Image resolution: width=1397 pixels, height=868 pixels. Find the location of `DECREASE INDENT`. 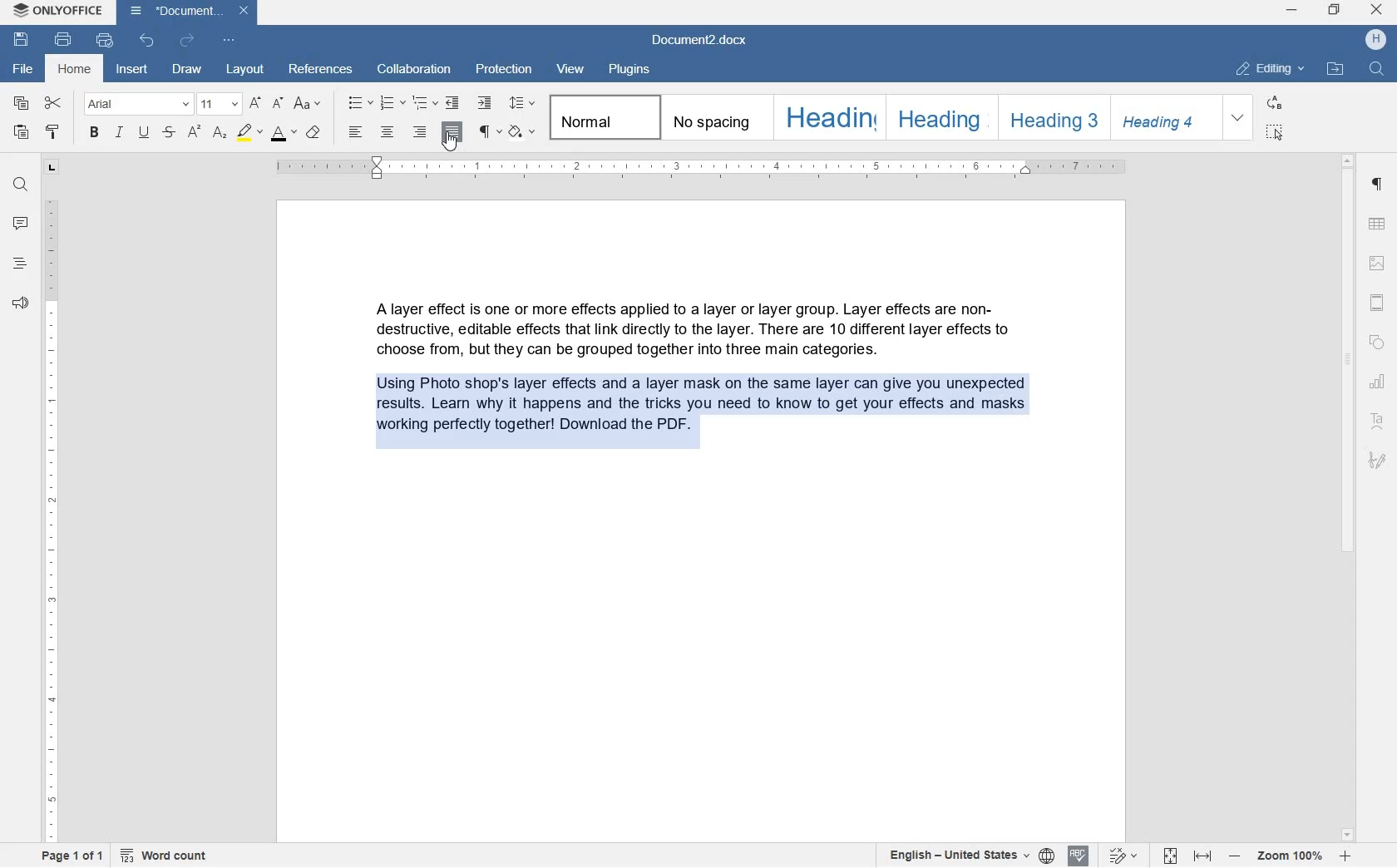

DECREASE INDENT is located at coordinates (453, 104).